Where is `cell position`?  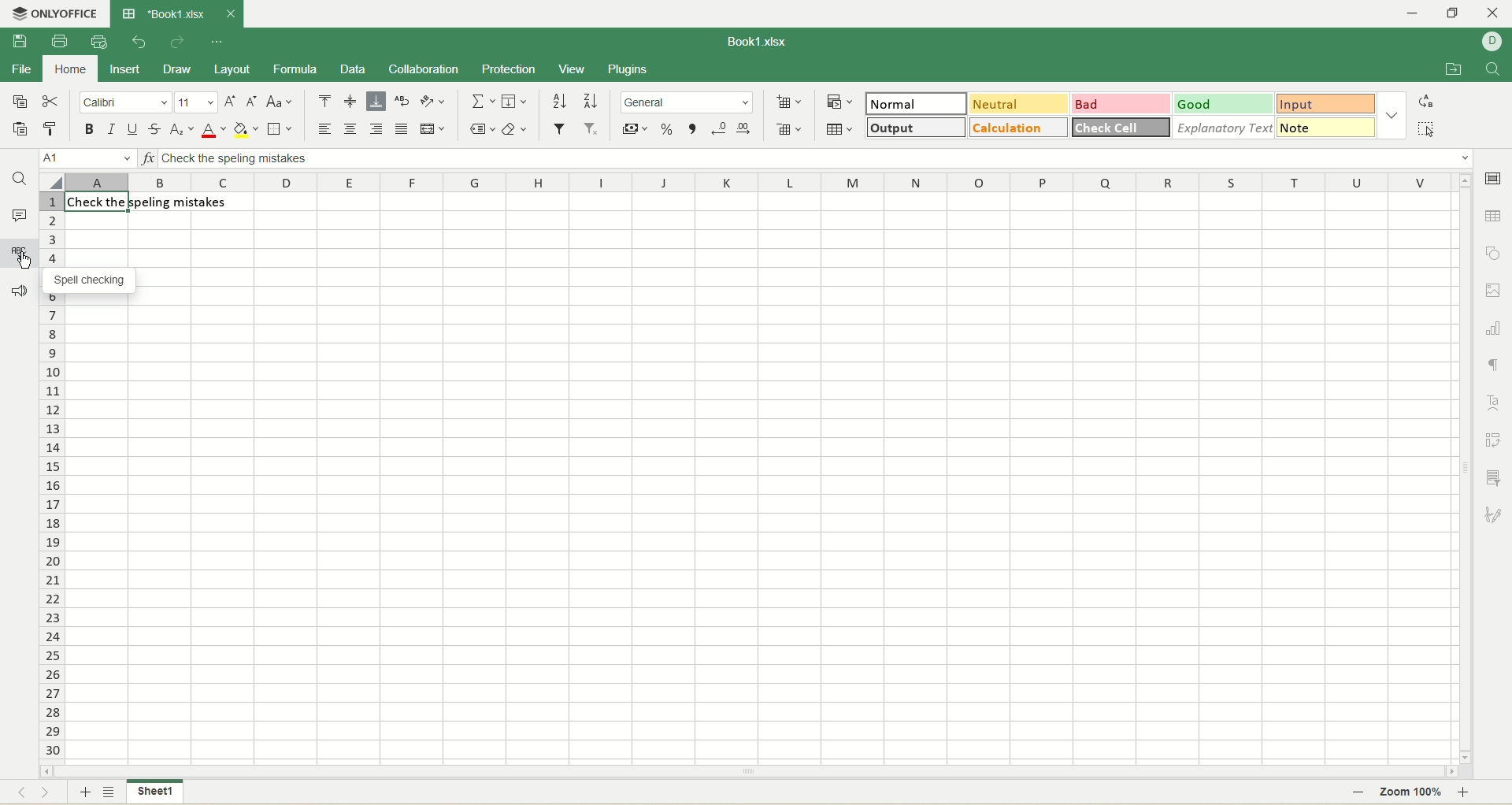
cell position is located at coordinates (87, 158).